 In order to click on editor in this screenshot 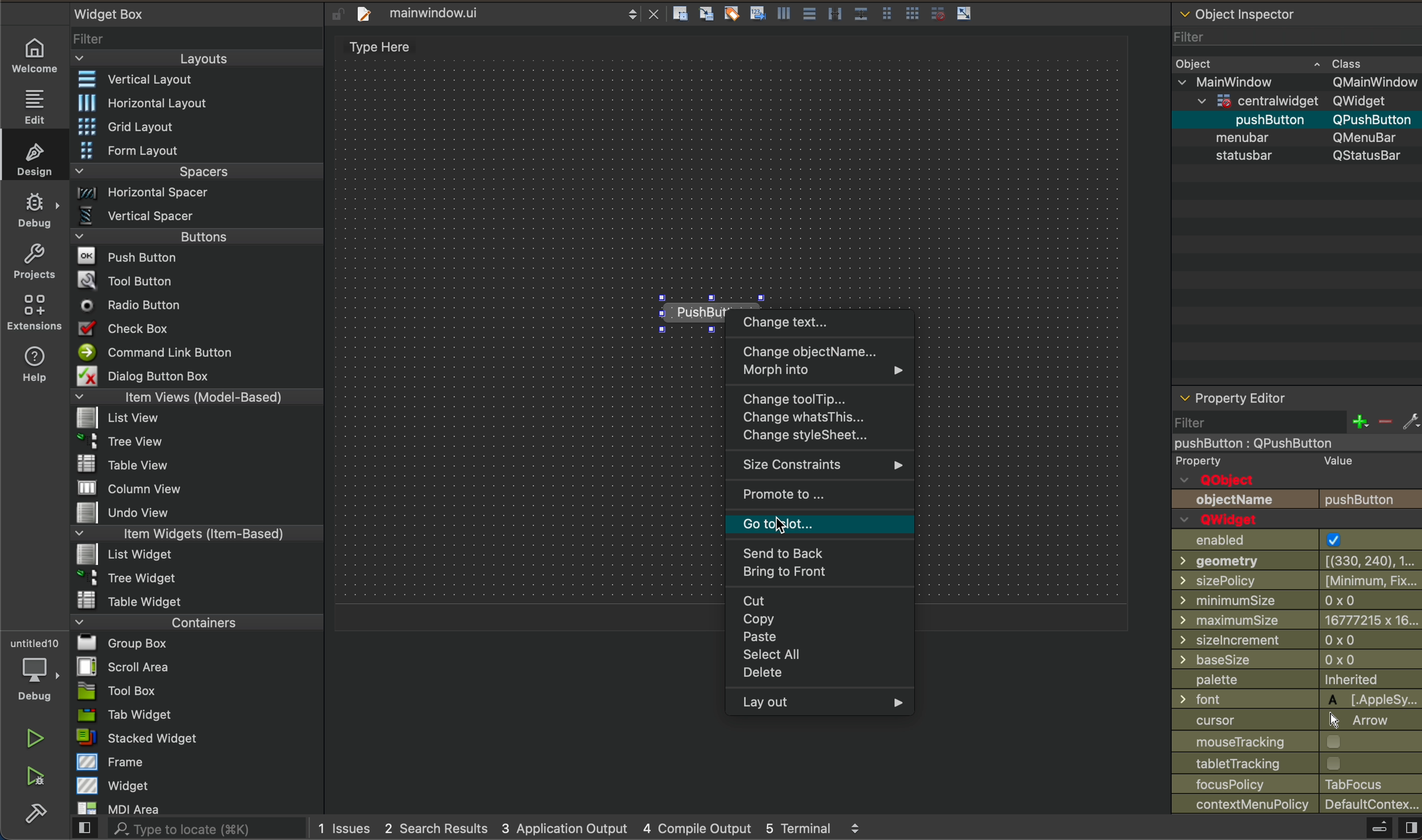, I will do `click(374, 44)`.